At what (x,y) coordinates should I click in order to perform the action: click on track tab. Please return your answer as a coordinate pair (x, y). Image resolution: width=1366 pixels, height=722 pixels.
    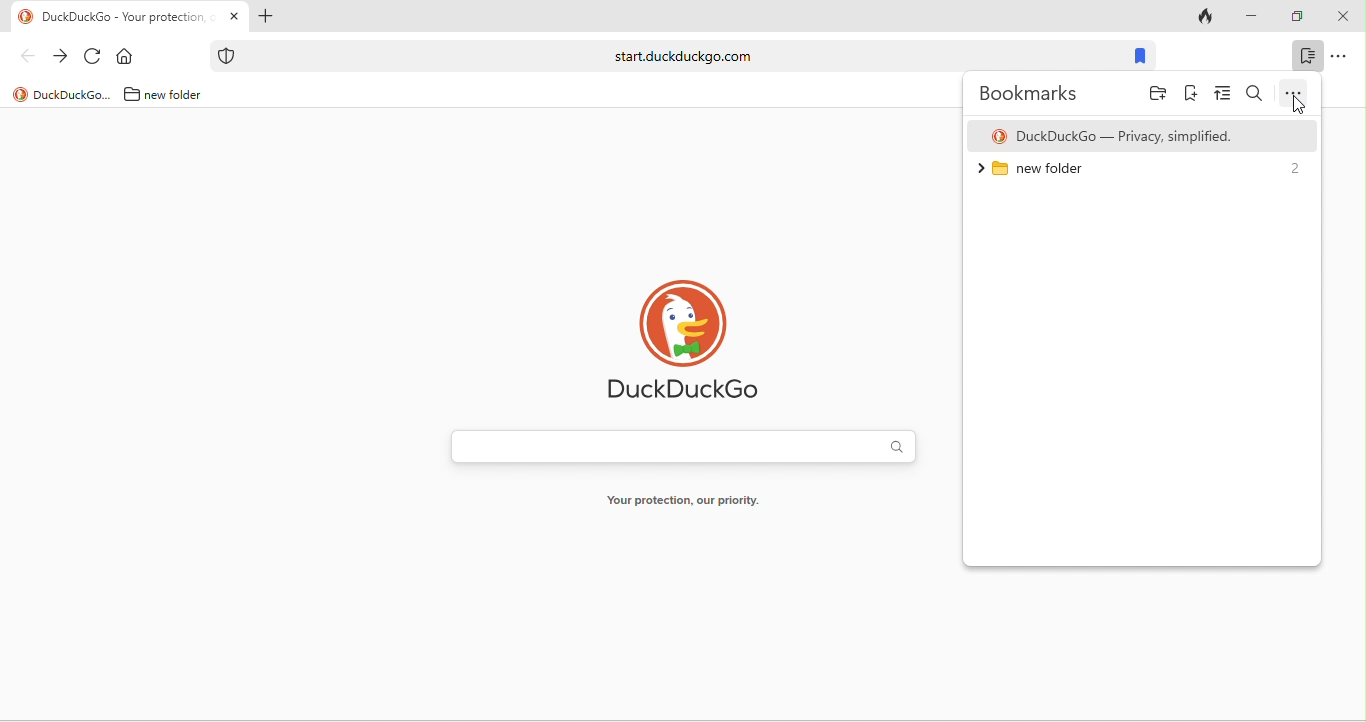
    Looking at the image, I should click on (1208, 18).